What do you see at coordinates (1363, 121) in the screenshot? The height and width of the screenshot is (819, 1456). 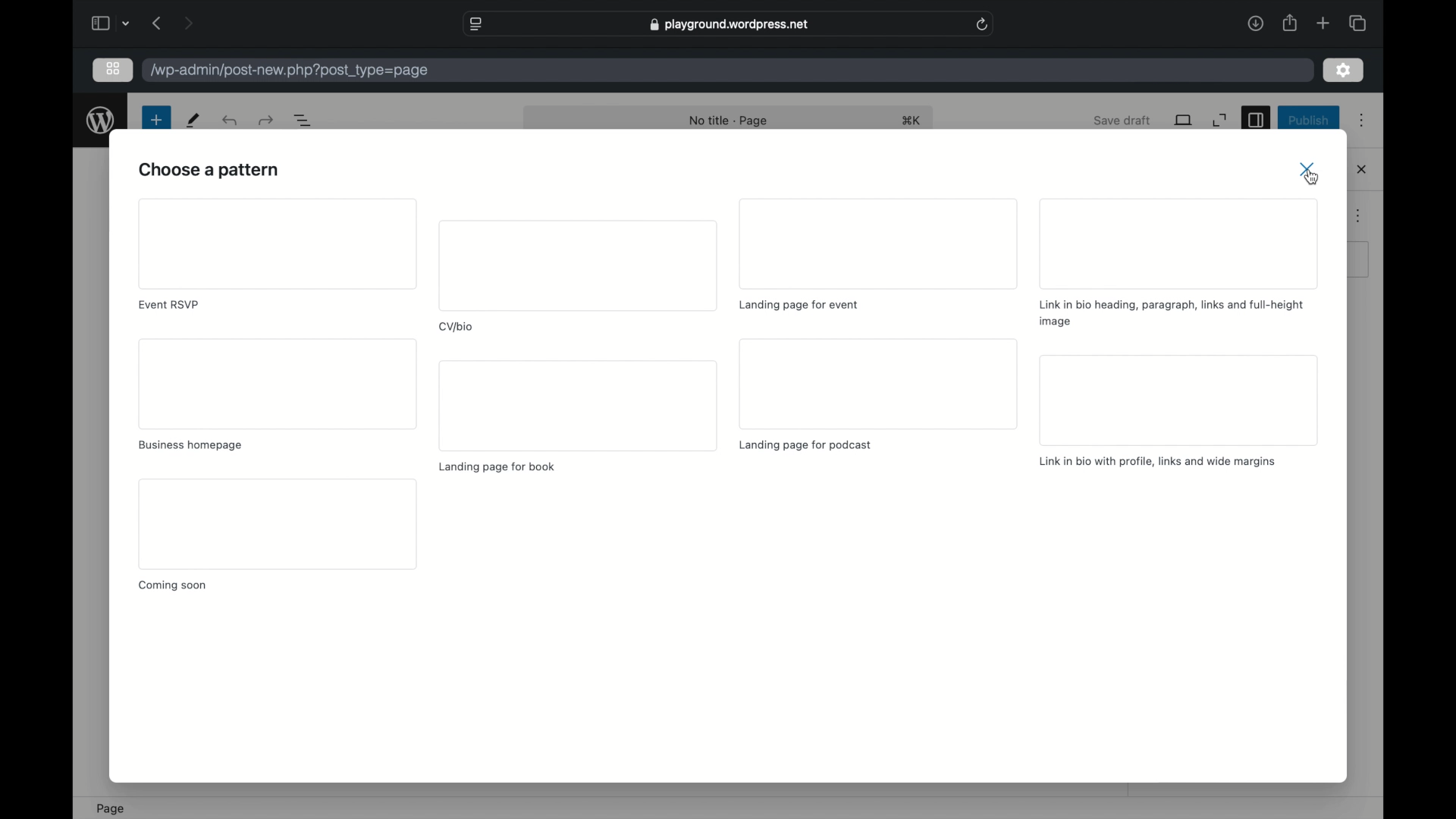 I see `more options` at bounding box center [1363, 121].